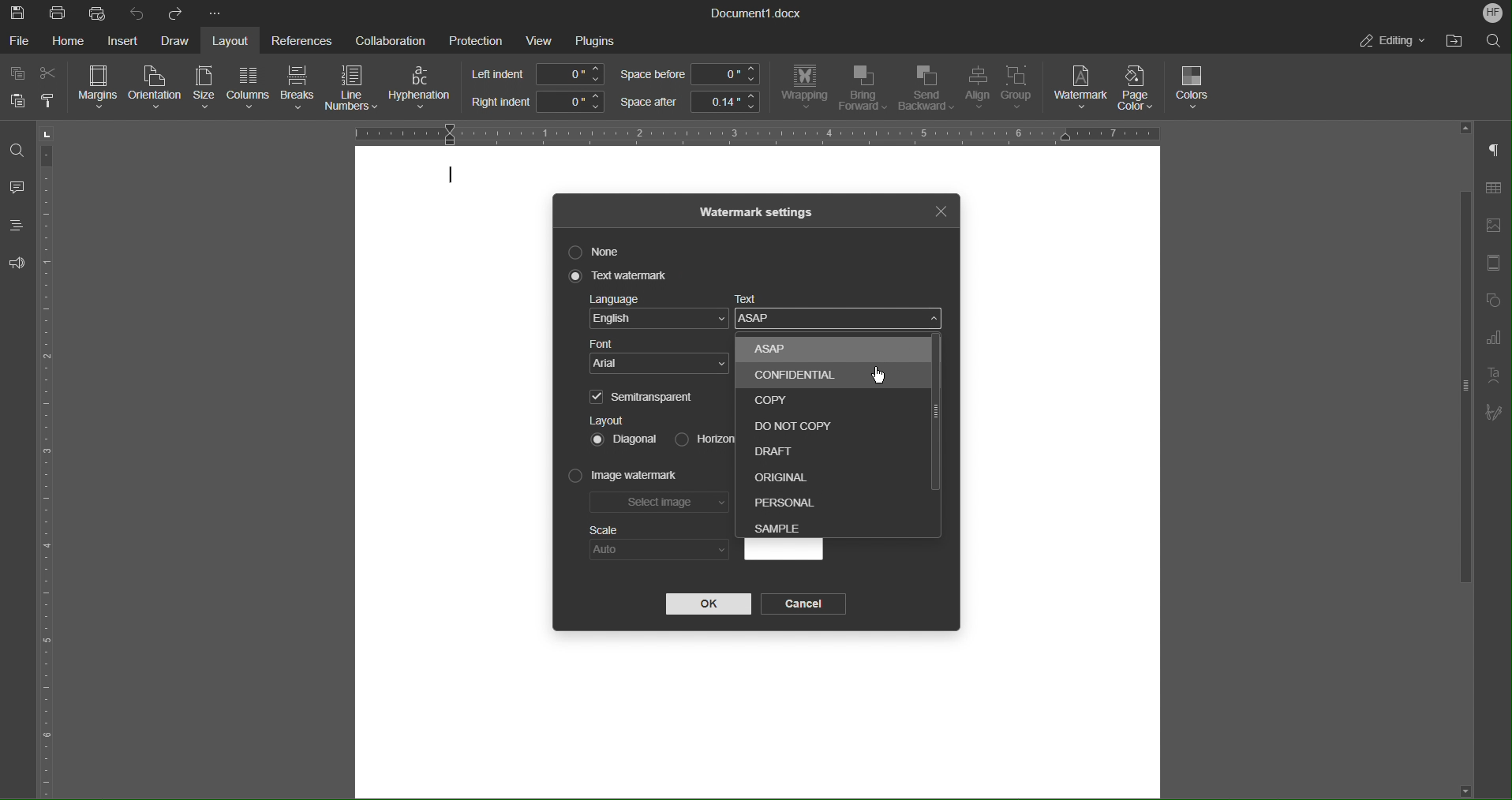 The image size is (1512, 800). What do you see at coordinates (661, 505) in the screenshot?
I see `Select image` at bounding box center [661, 505].